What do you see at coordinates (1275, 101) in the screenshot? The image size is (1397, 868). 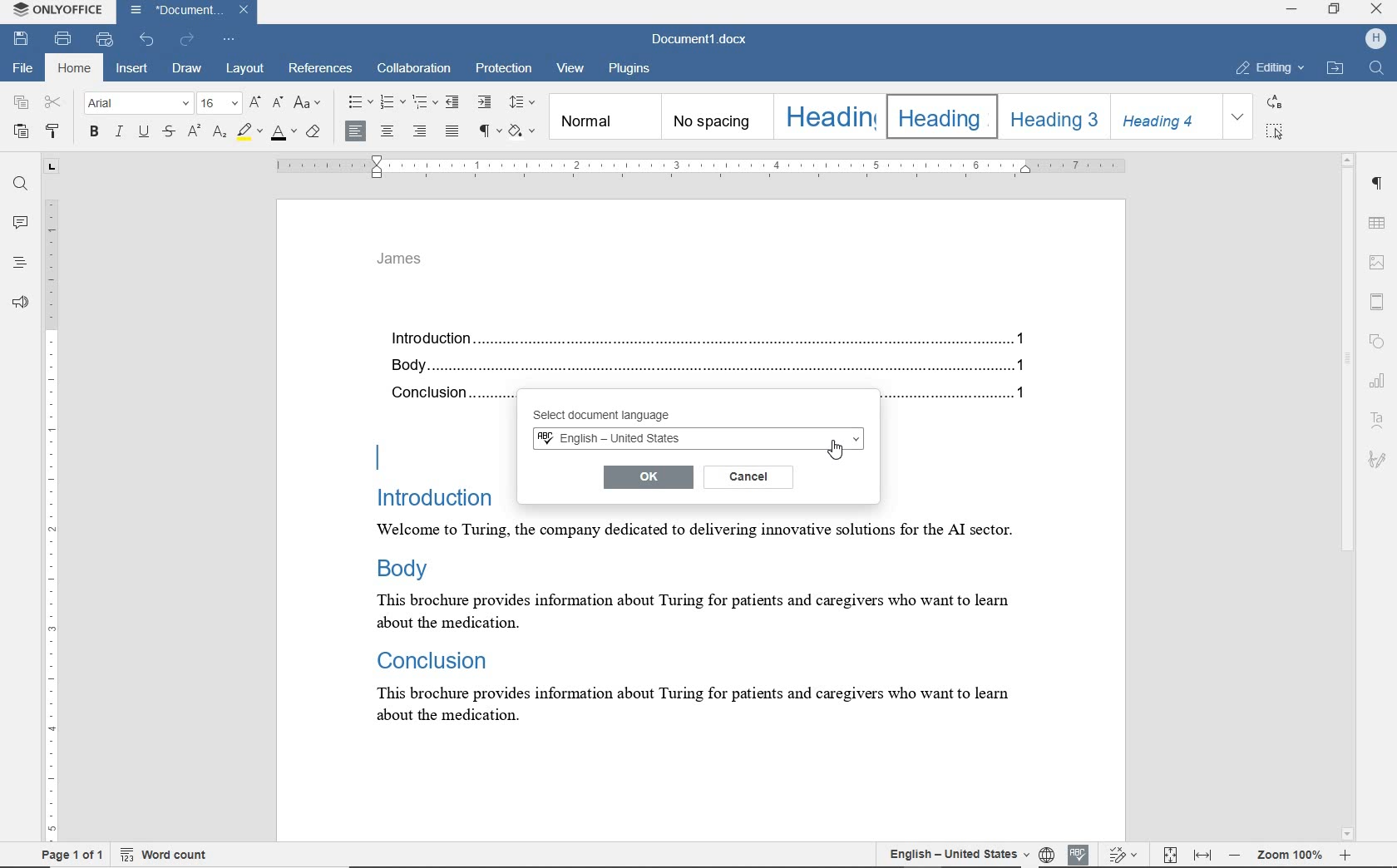 I see `REPLACE` at bounding box center [1275, 101].